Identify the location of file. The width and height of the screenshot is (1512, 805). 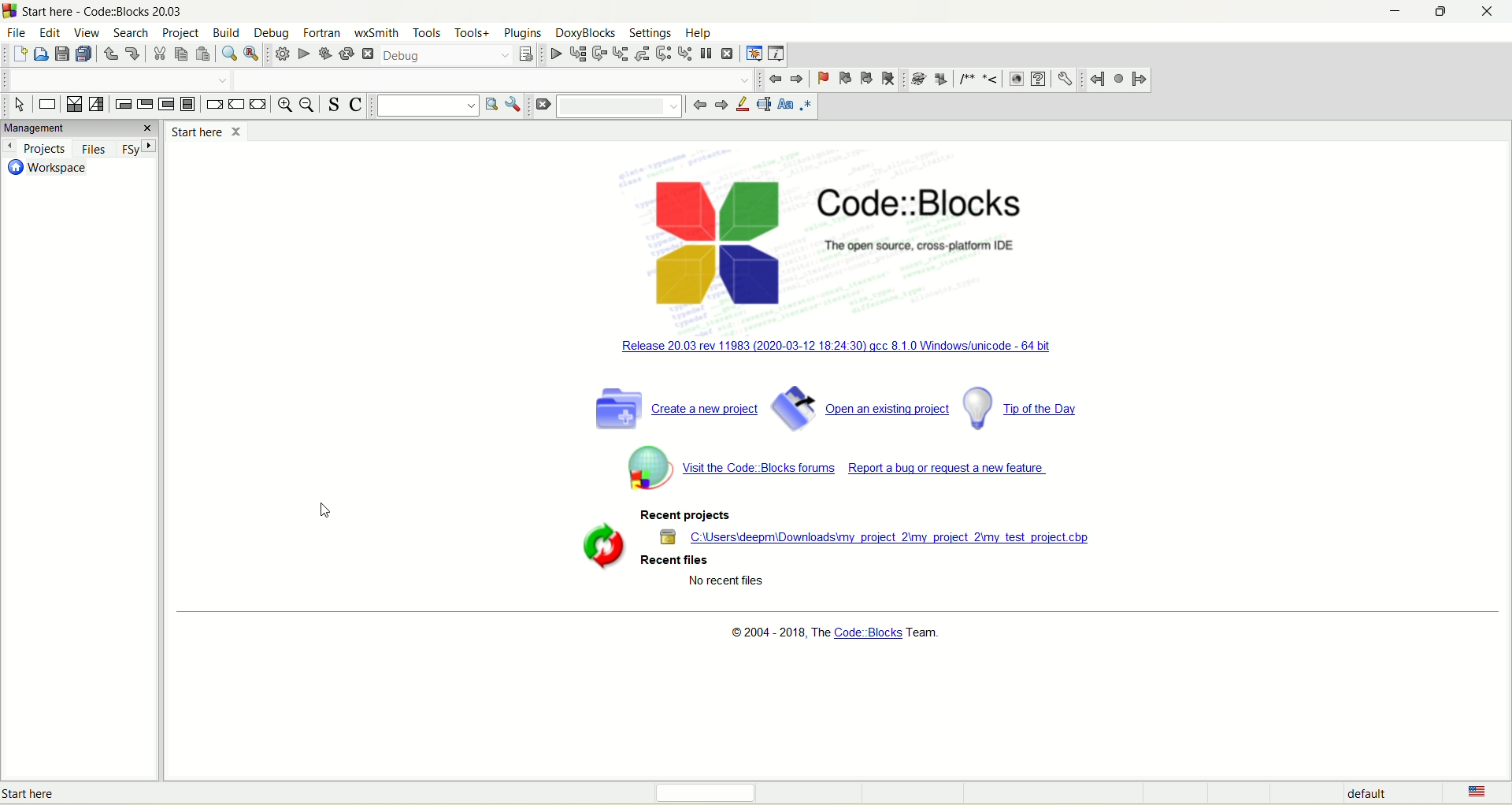
(17, 33).